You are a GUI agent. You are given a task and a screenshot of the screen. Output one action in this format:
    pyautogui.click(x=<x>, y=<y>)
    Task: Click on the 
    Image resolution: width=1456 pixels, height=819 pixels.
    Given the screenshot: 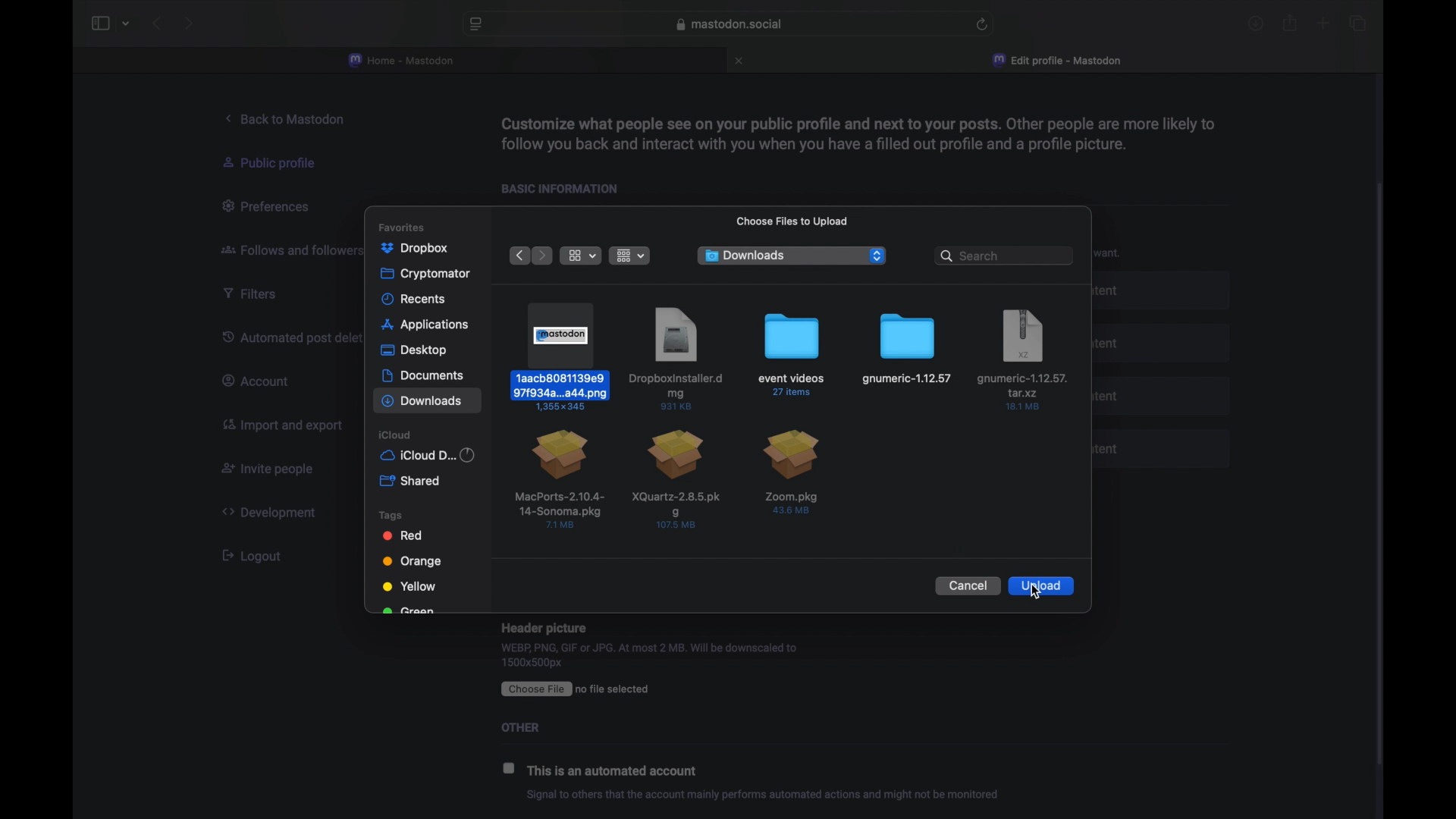 What is the action you would take?
    pyautogui.click(x=532, y=726)
    